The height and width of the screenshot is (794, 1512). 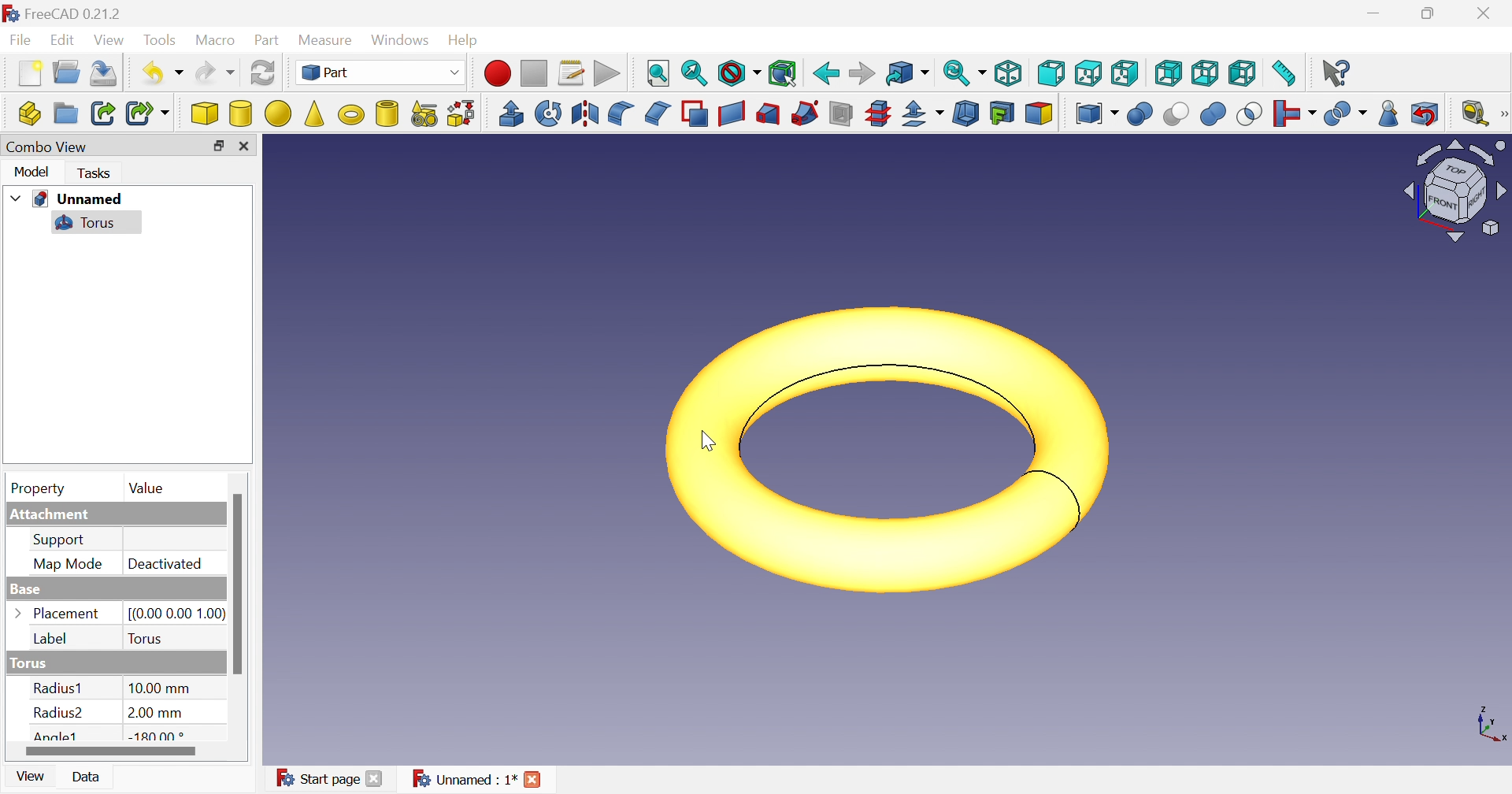 I want to click on Macro, so click(x=214, y=39).